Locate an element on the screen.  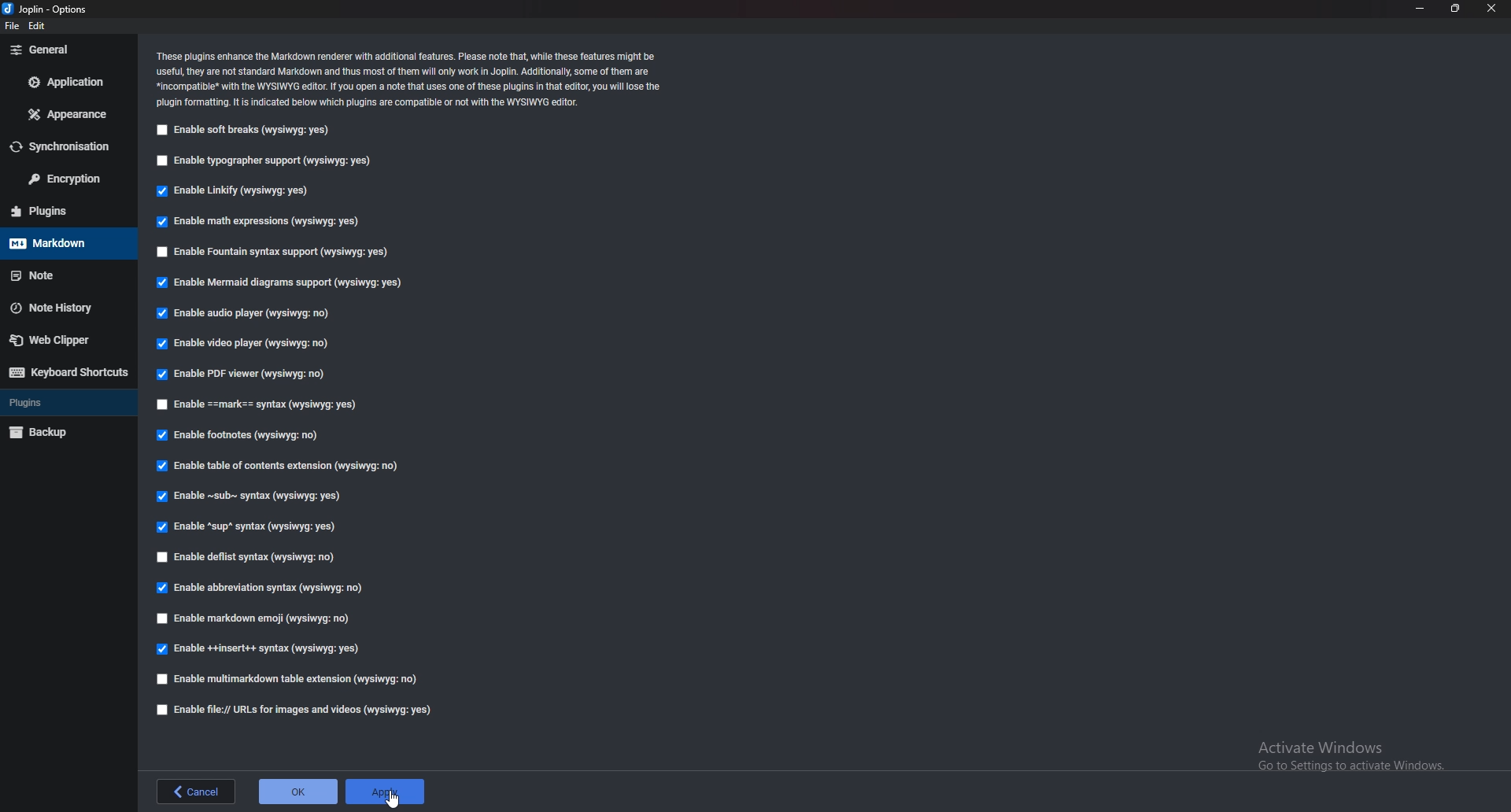
general is located at coordinates (68, 50).